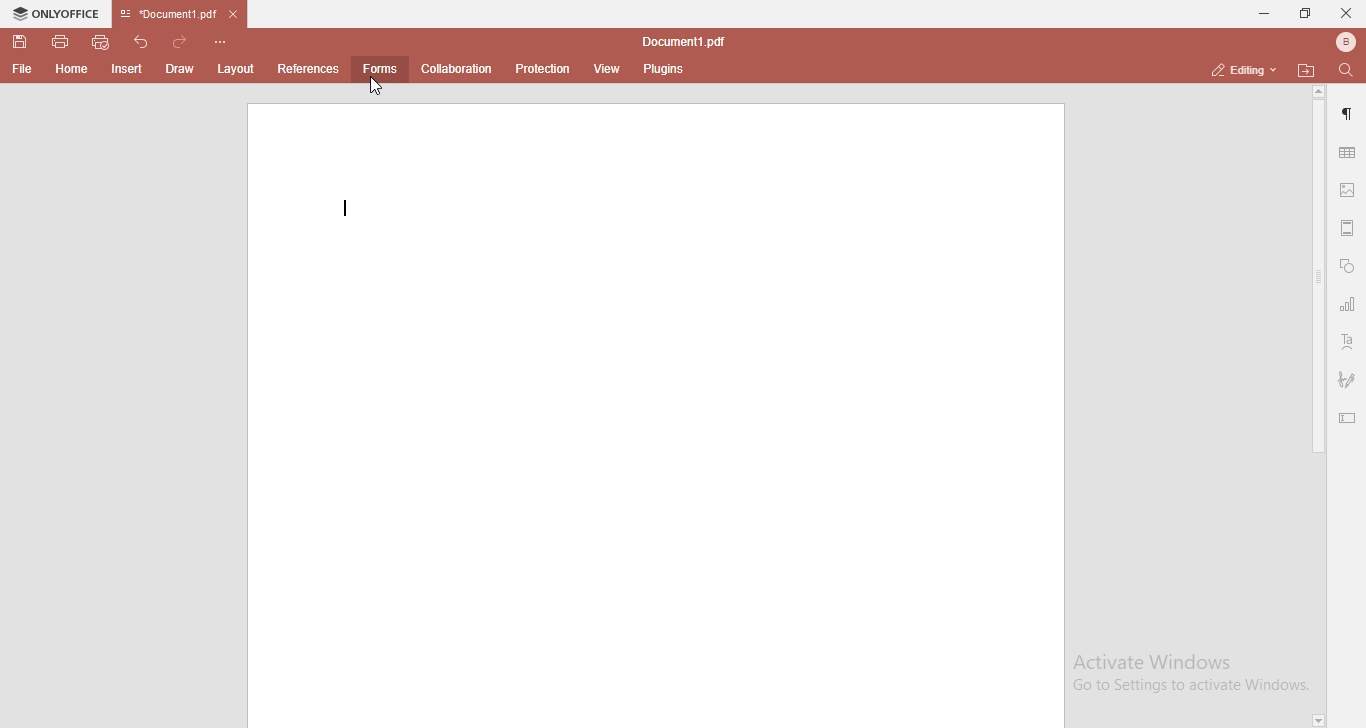  What do you see at coordinates (1309, 70) in the screenshot?
I see `open file location` at bounding box center [1309, 70].